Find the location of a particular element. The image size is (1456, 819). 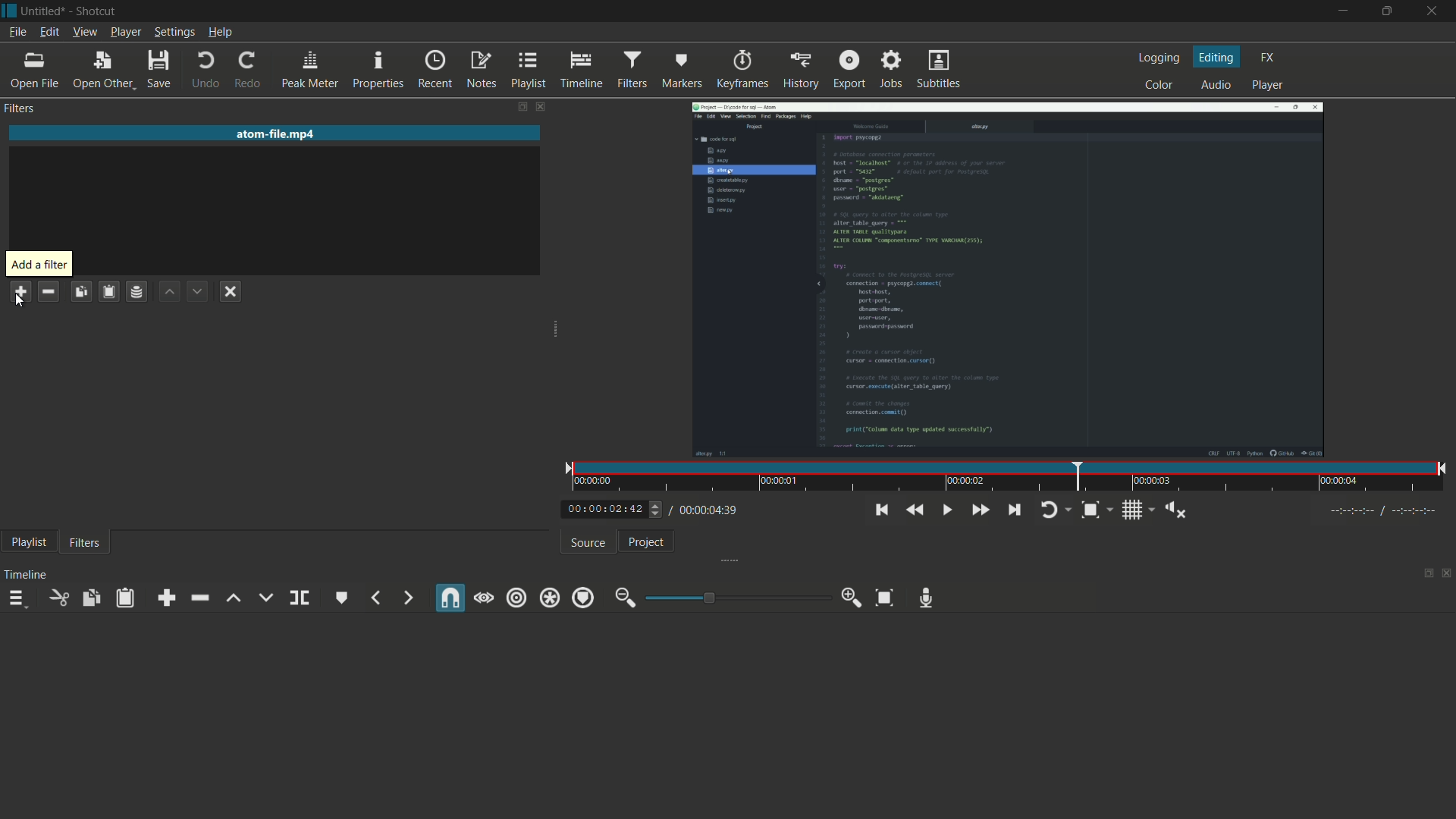

timeline menu is located at coordinates (17, 600).